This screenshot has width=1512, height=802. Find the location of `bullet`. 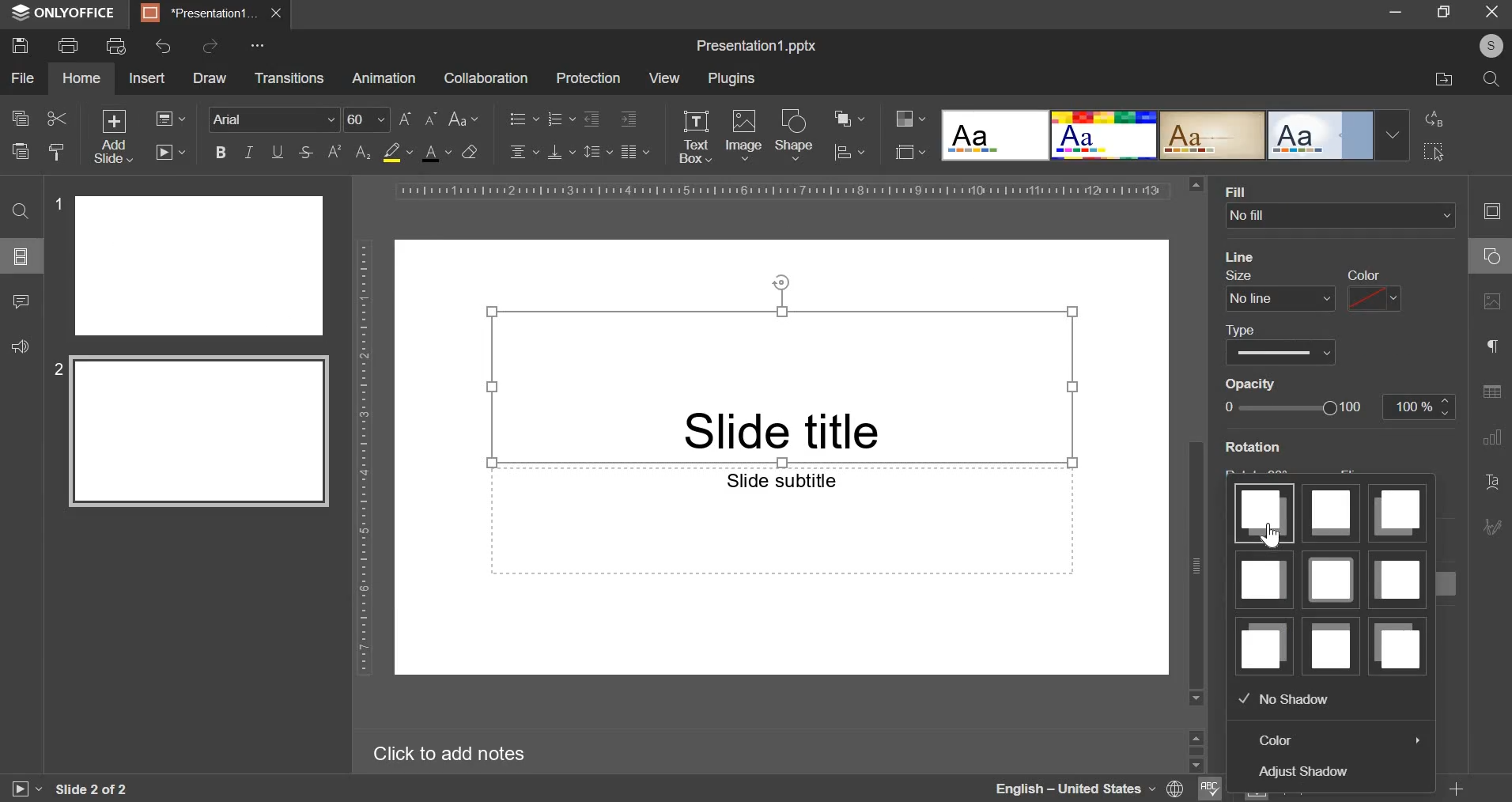

bullet is located at coordinates (523, 117).